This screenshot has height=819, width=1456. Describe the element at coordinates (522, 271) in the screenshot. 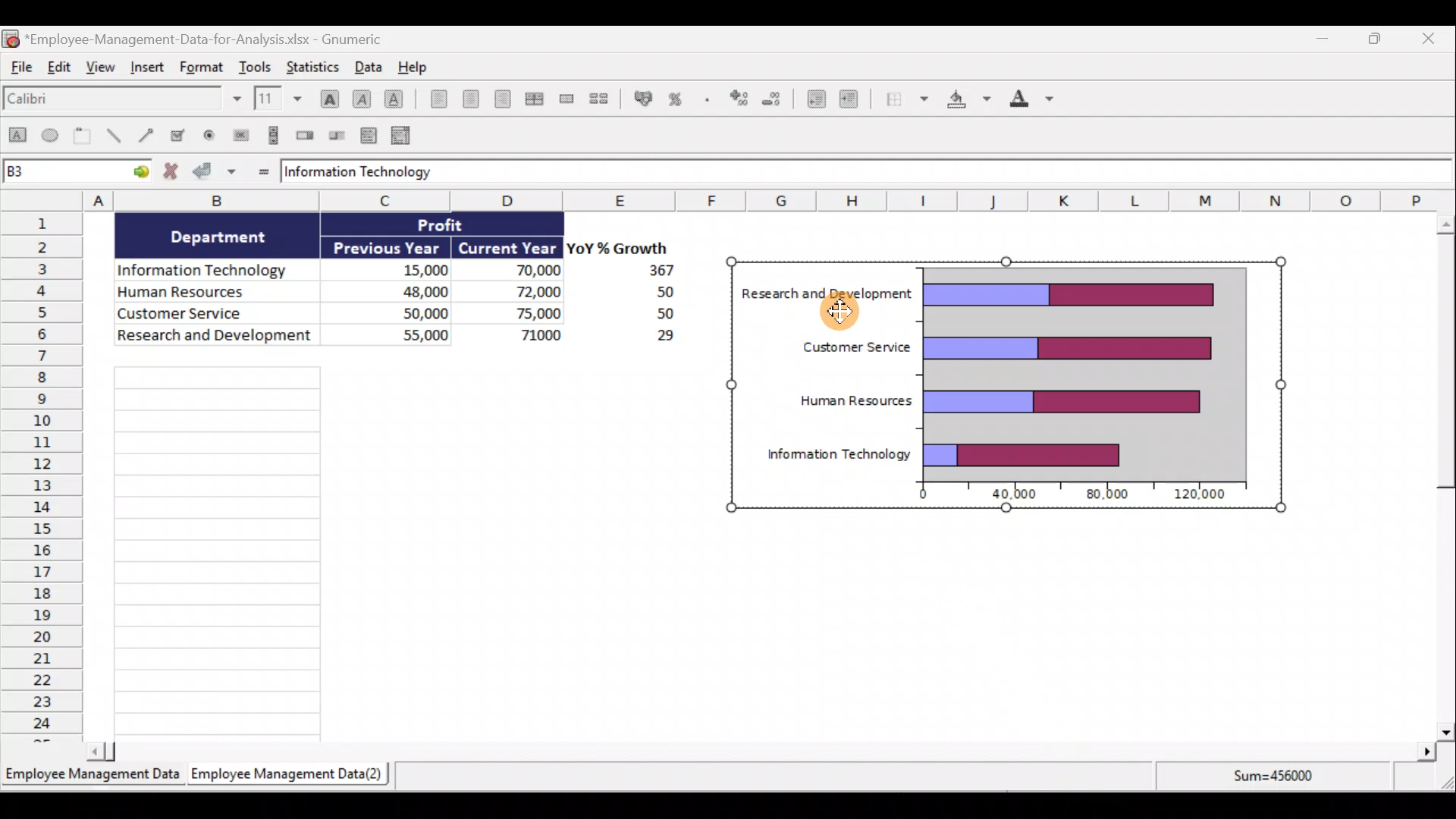

I see `70,000` at that location.